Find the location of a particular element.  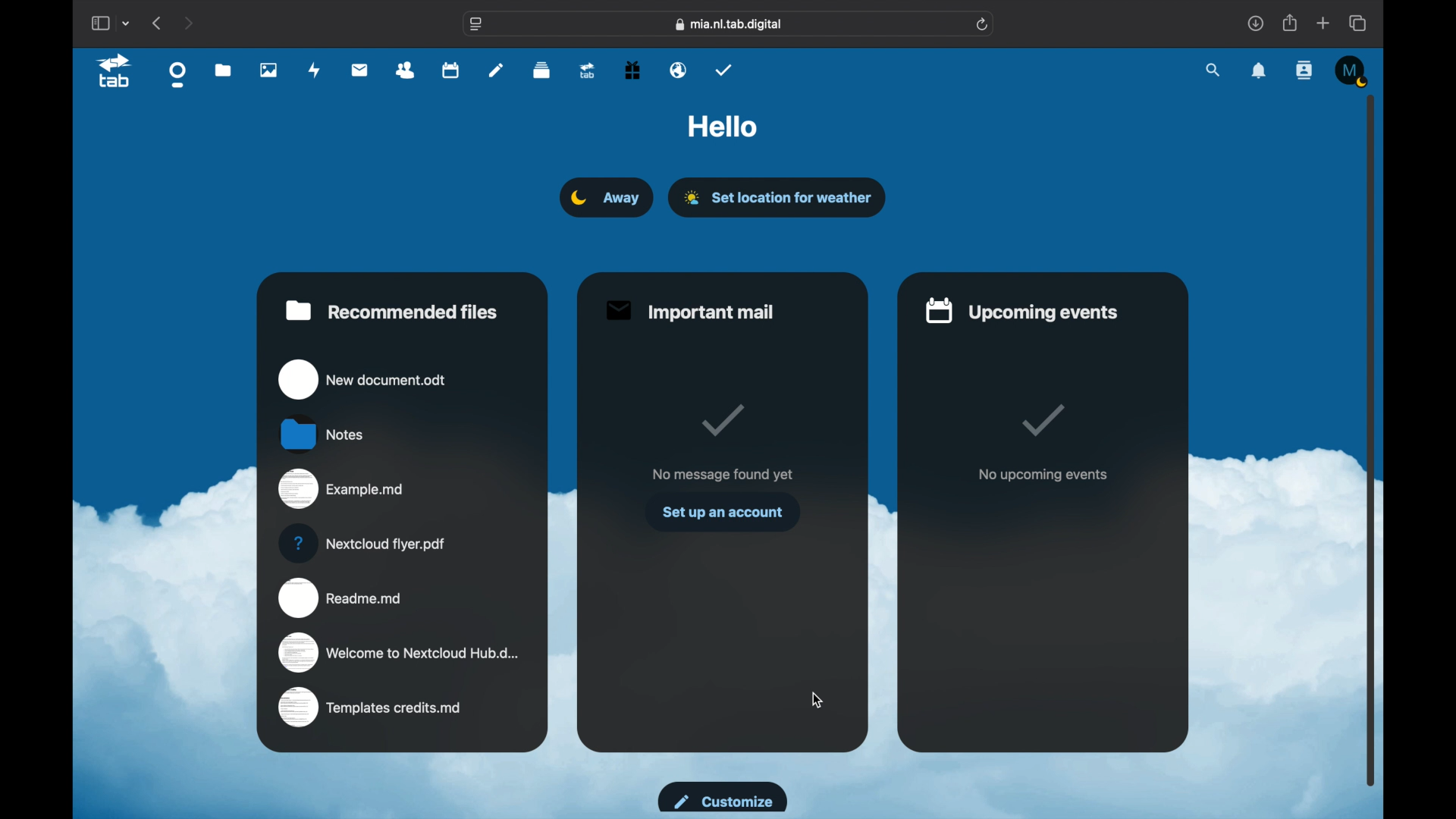

files is located at coordinates (224, 70).